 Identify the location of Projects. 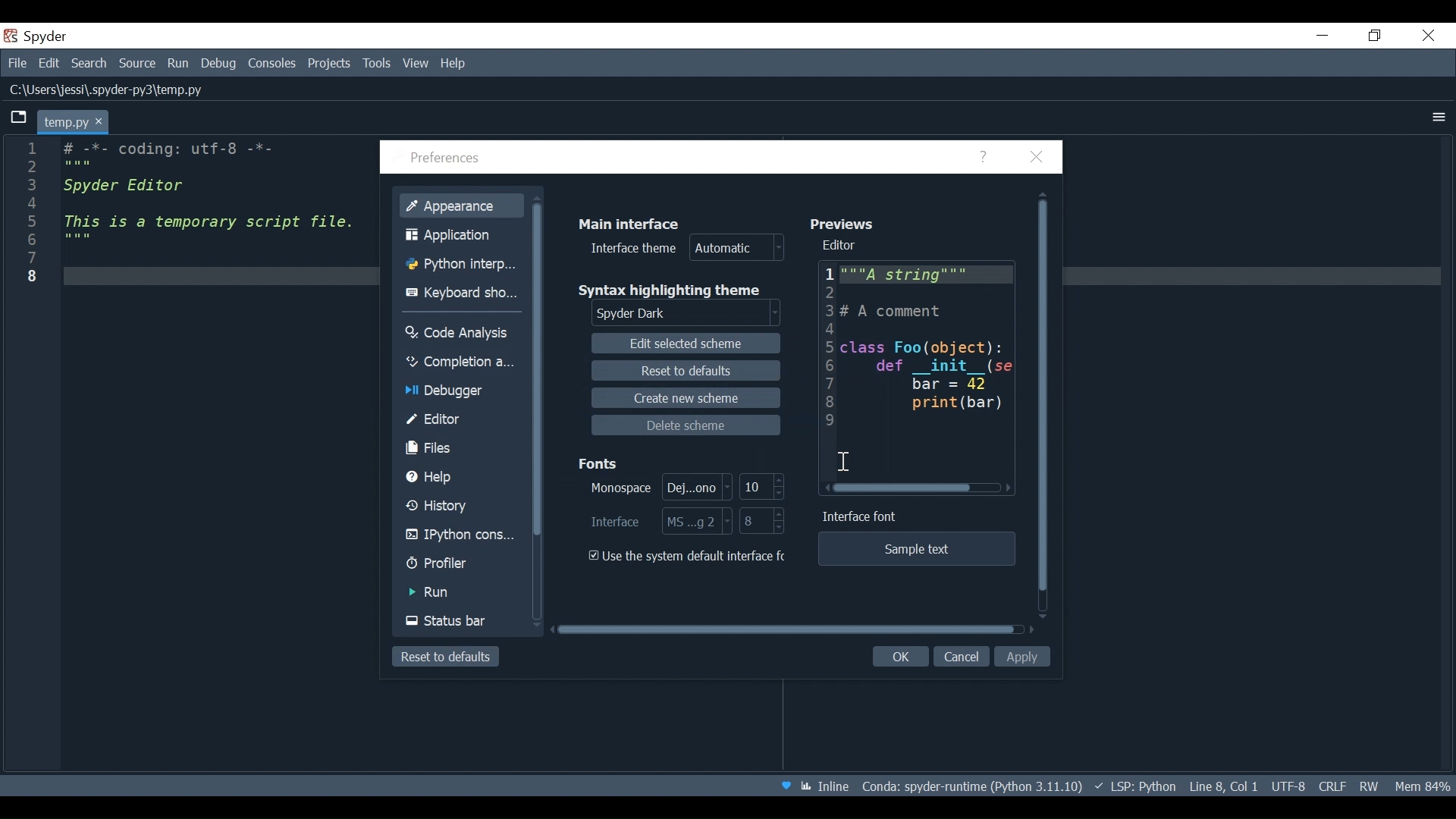
(329, 64).